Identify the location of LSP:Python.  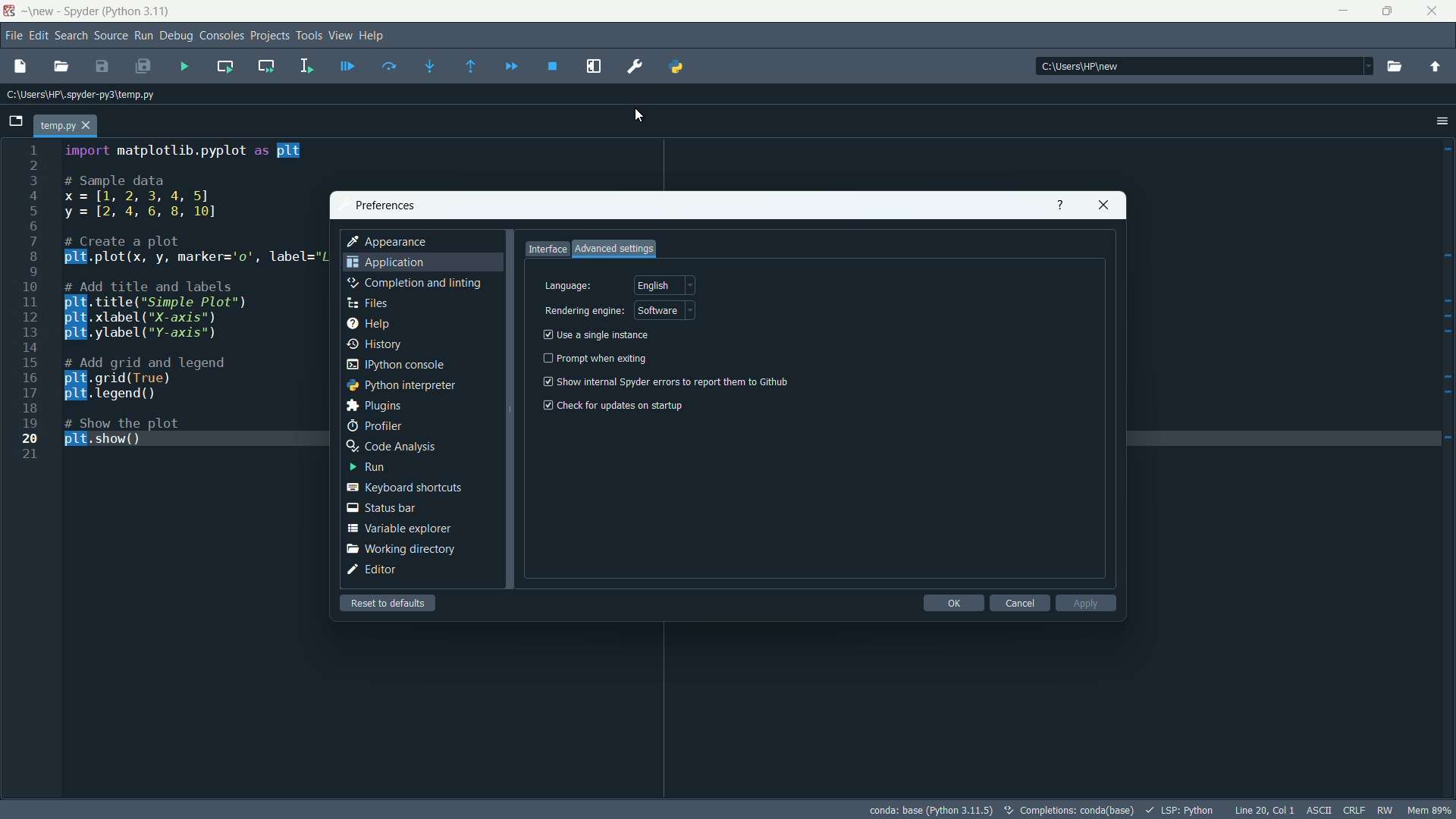
(1181, 811).